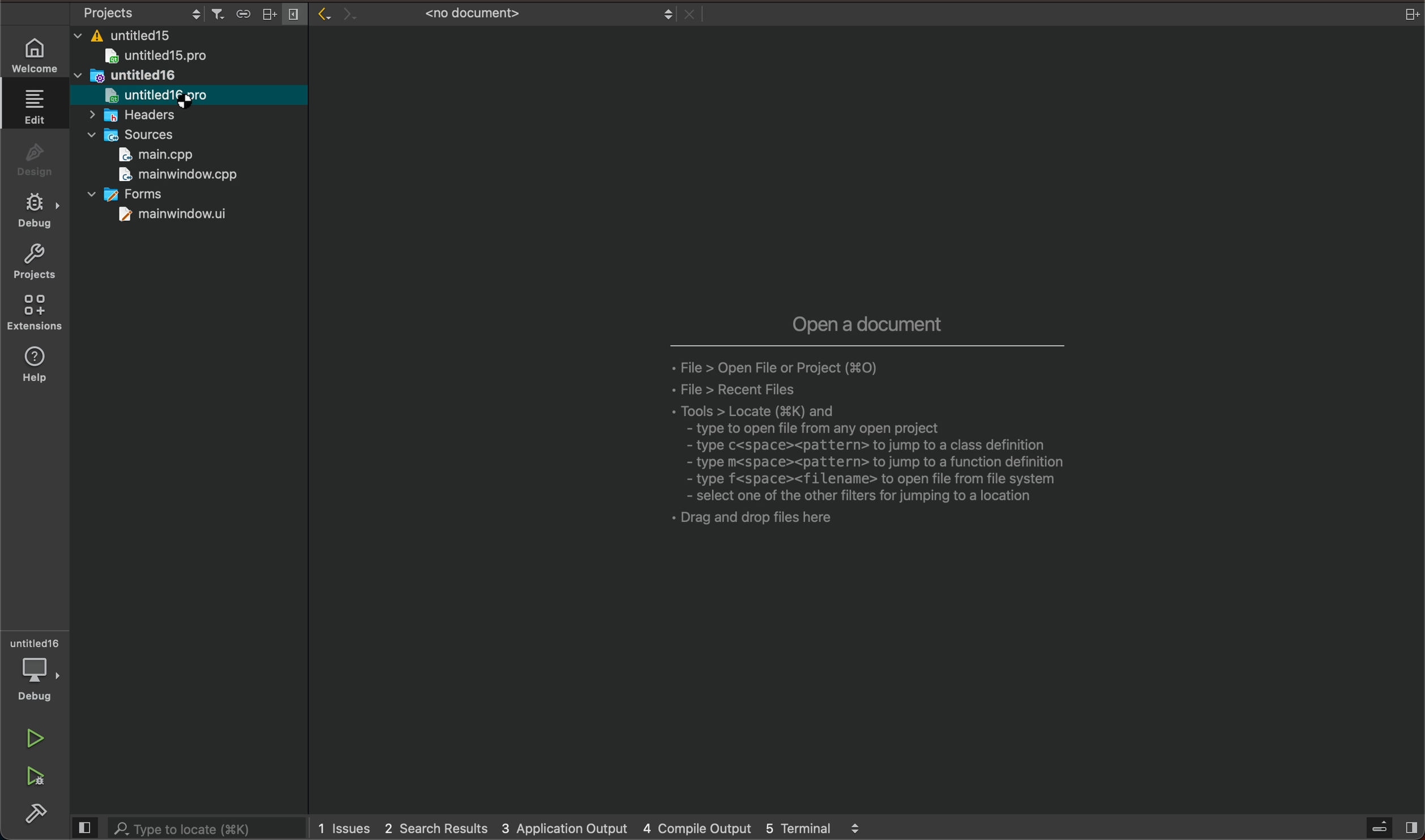  What do you see at coordinates (161, 96) in the screenshot?
I see `untitledpro` at bounding box center [161, 96].